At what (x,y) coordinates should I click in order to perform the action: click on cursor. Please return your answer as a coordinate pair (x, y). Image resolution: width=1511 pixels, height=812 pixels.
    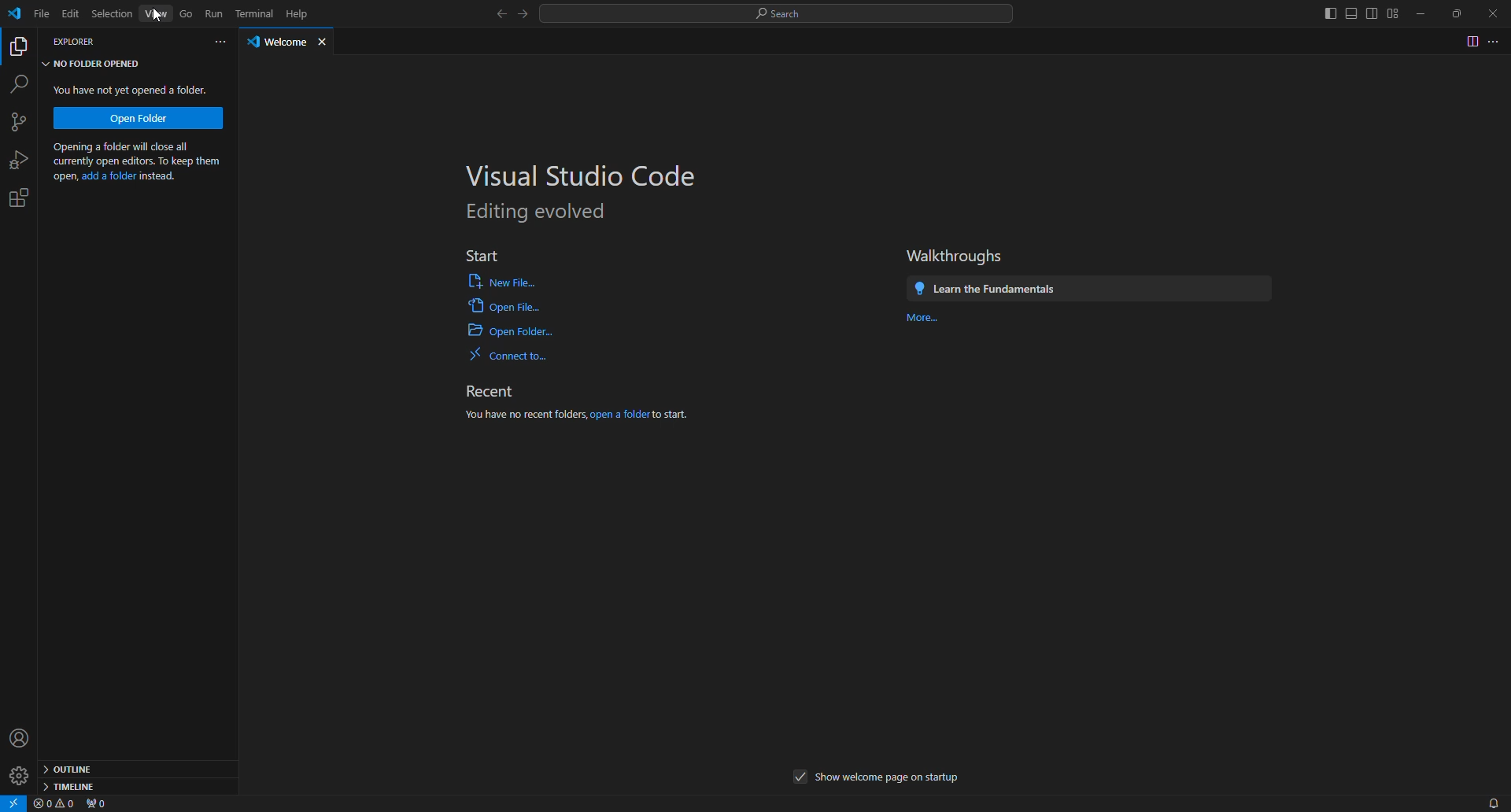
    Looking at the image, I should click on (154, 14).